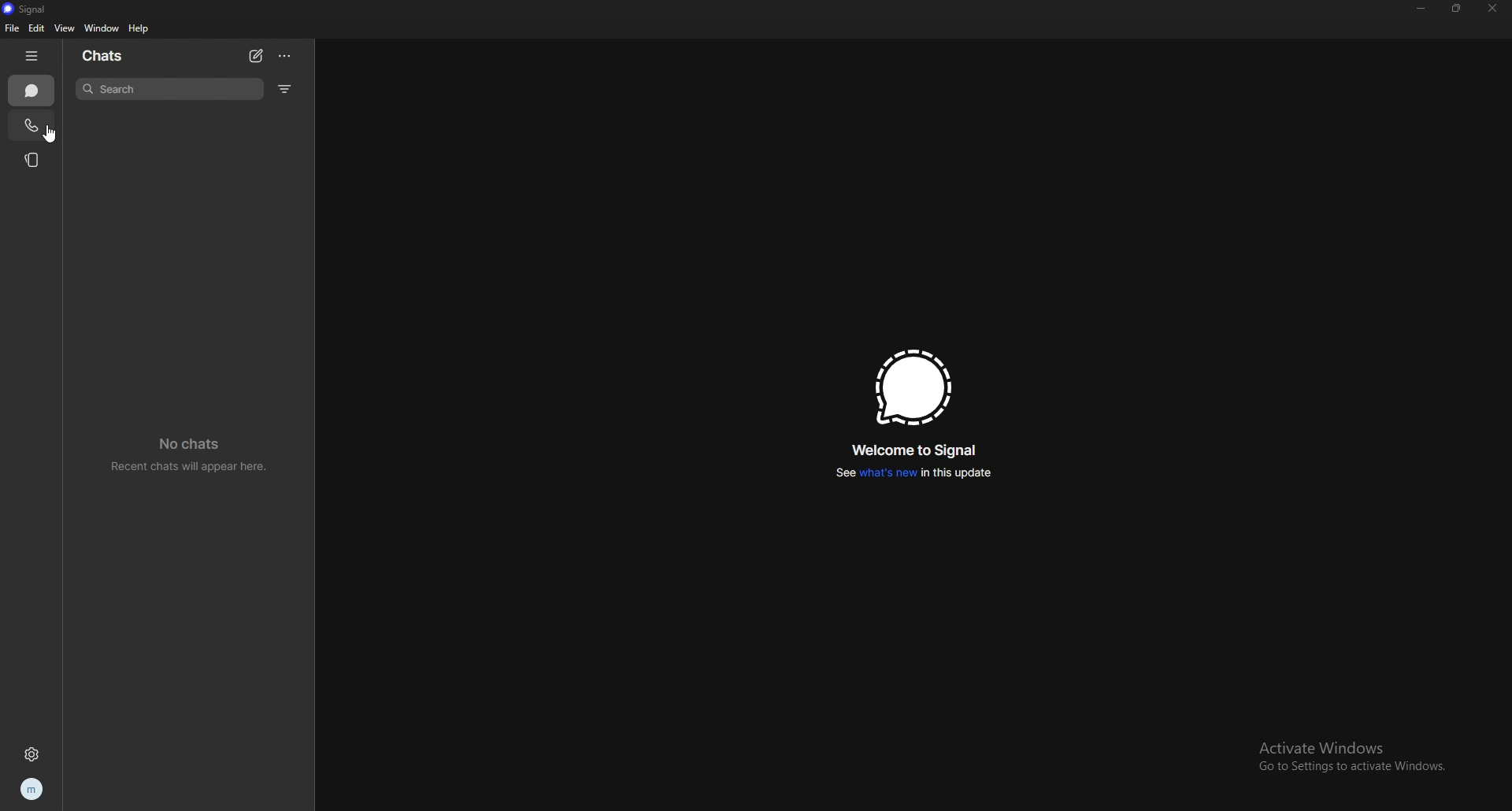  What do you see at coordinates (37, 28) in the screenshot?
I see `edit` at bounding box center [37, 28].